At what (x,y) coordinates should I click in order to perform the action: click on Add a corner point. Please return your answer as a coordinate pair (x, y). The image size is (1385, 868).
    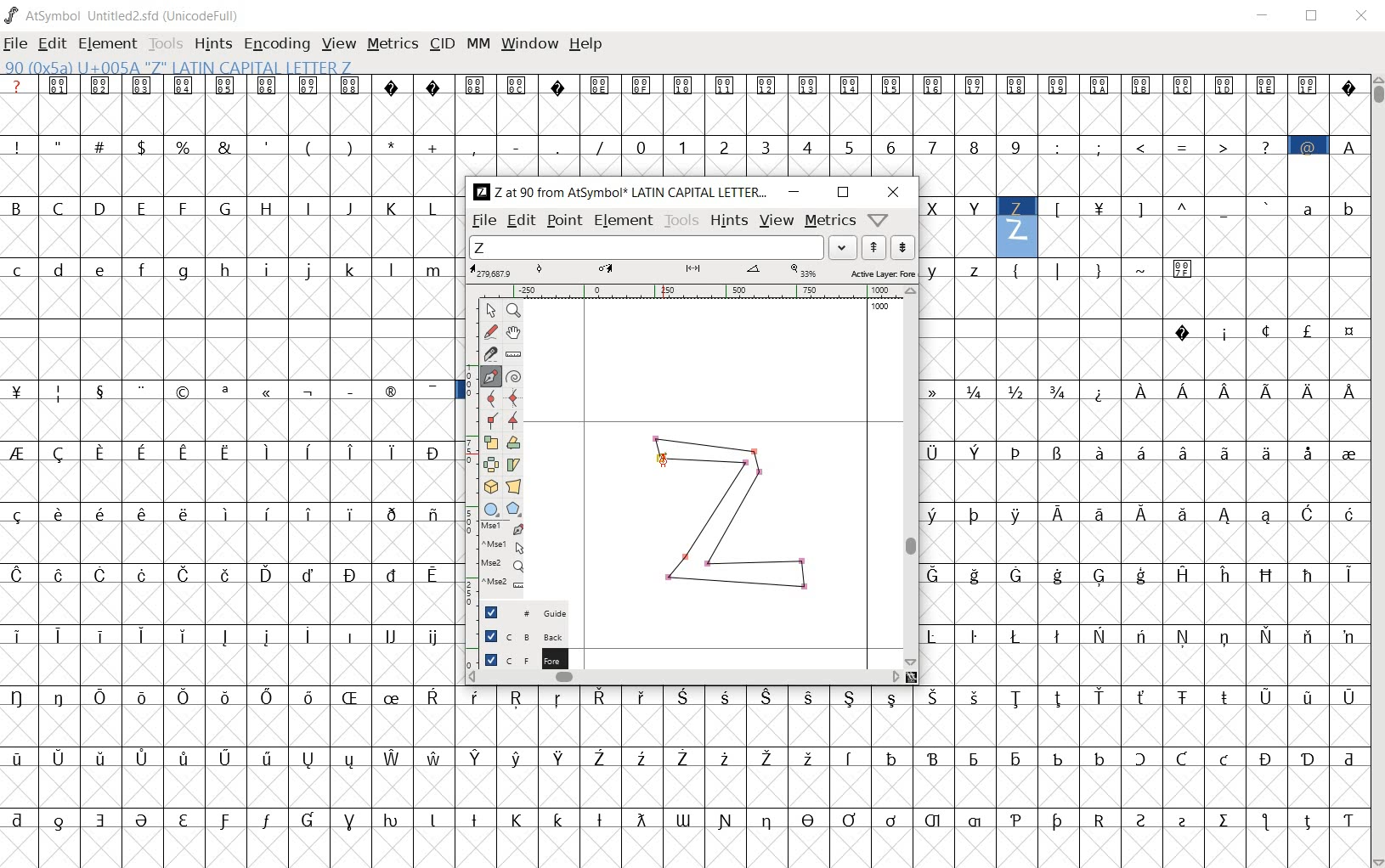
    Looking at the image, I should click on (490, 420).